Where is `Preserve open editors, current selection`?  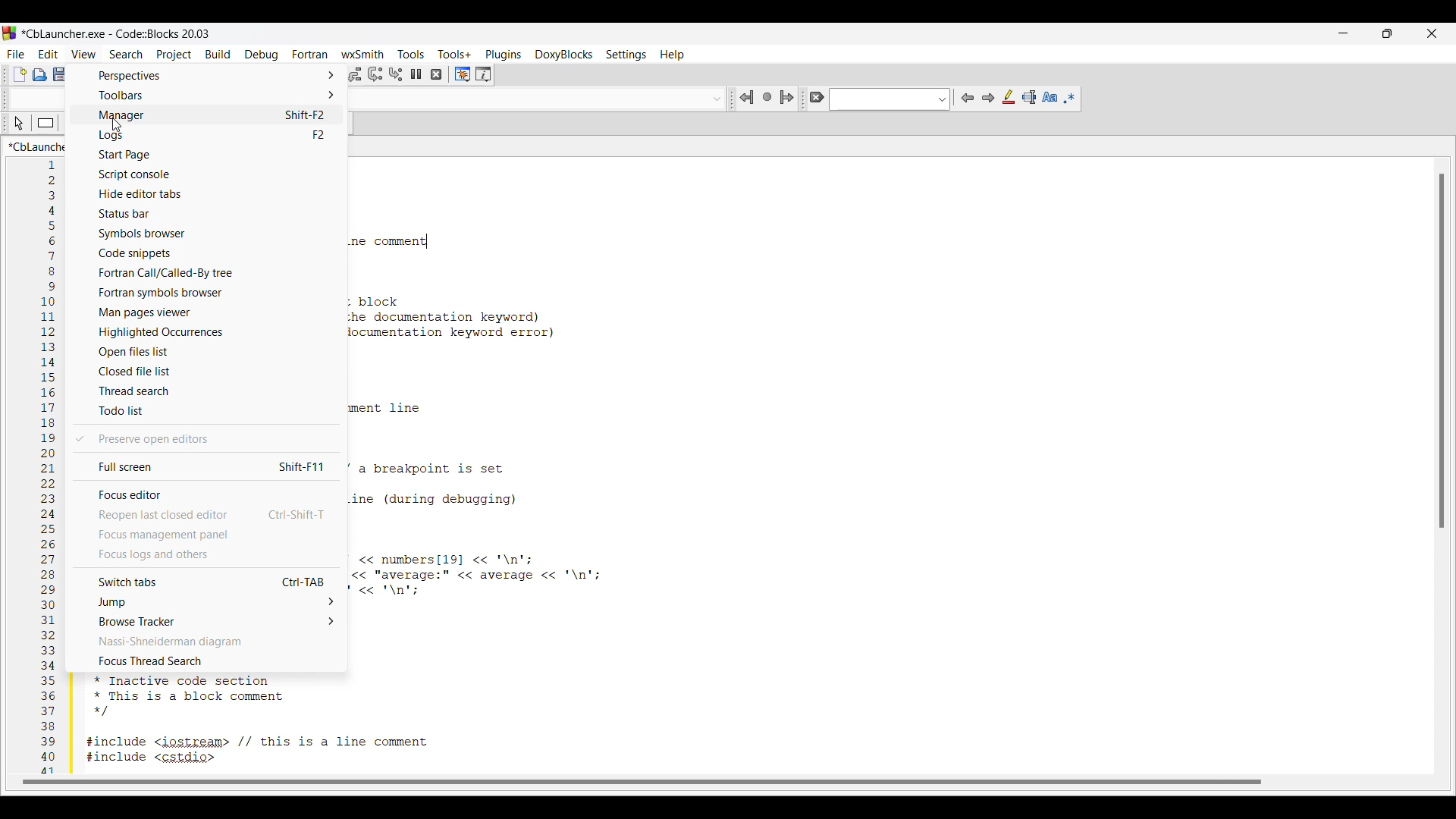
Preserve open editors, current selection is located at coordinates (206, 439).